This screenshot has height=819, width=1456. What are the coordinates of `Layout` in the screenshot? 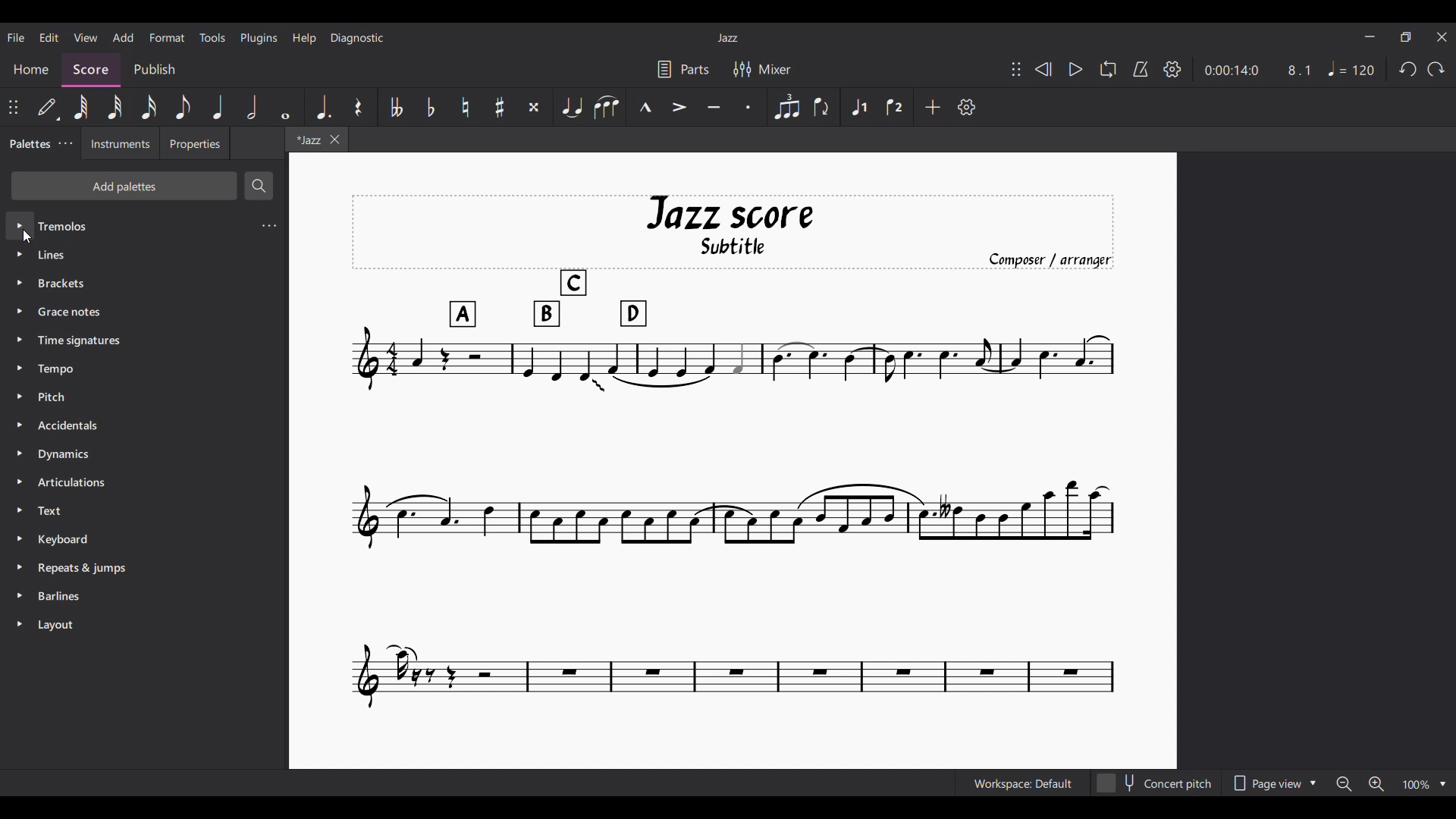 It's located at (143, 625).